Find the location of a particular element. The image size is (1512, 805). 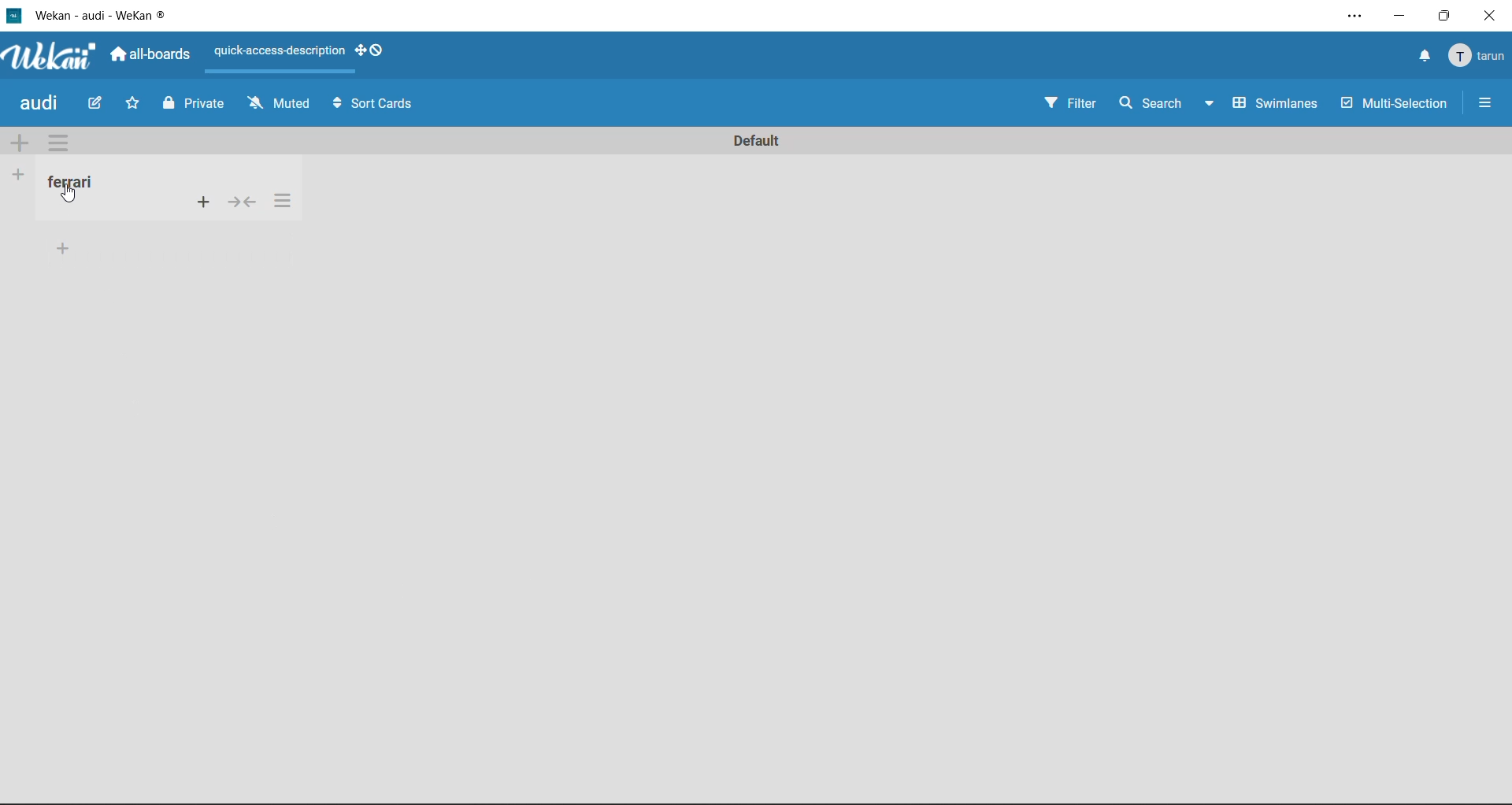

Private is located at coordinates (192, 106).